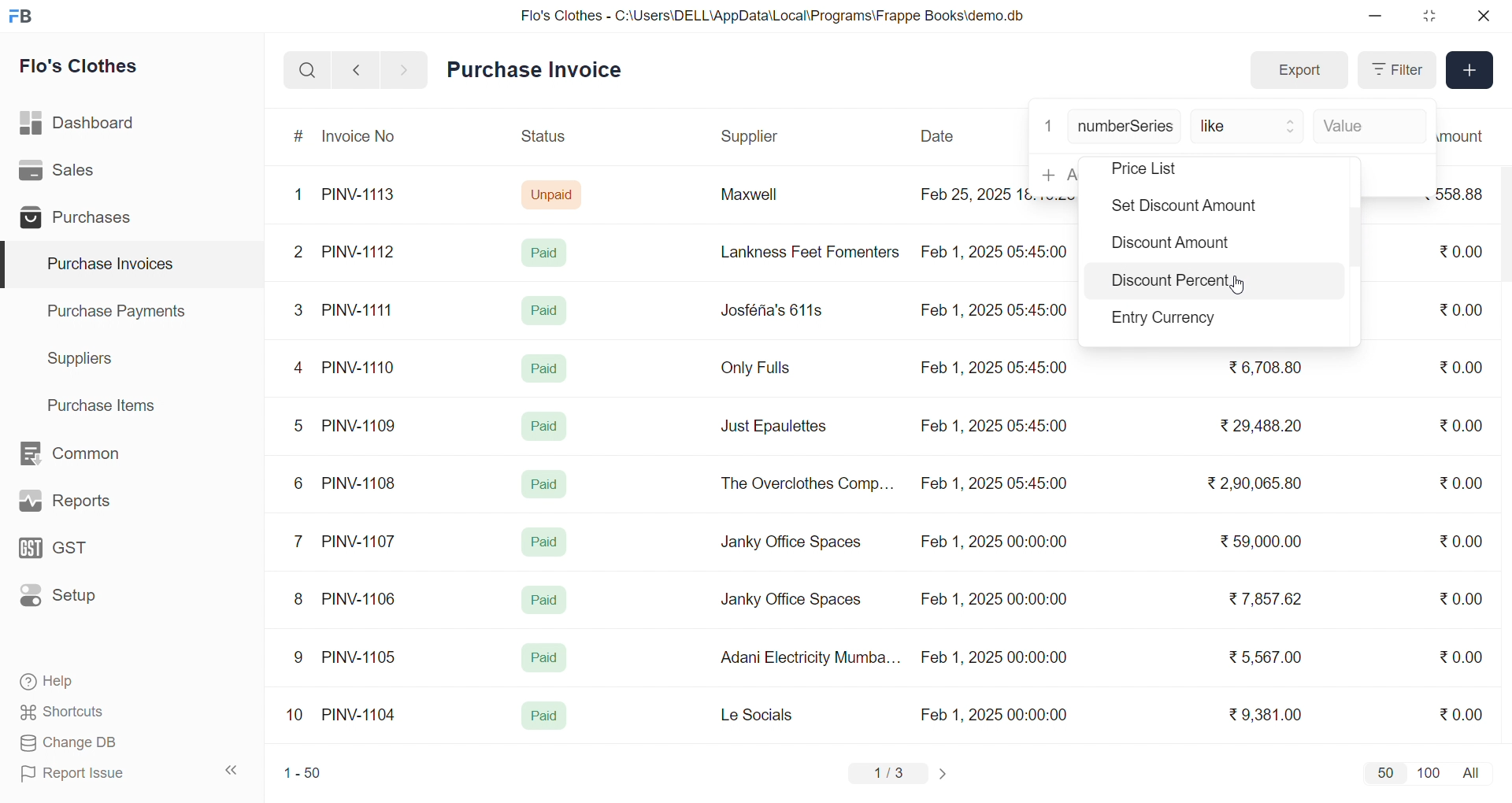 The height and width of the screenshot is (803, 1512). Describe the element at coordinates (1356, 240) in the screenshot. I see `vertical scroll bar` at that location.